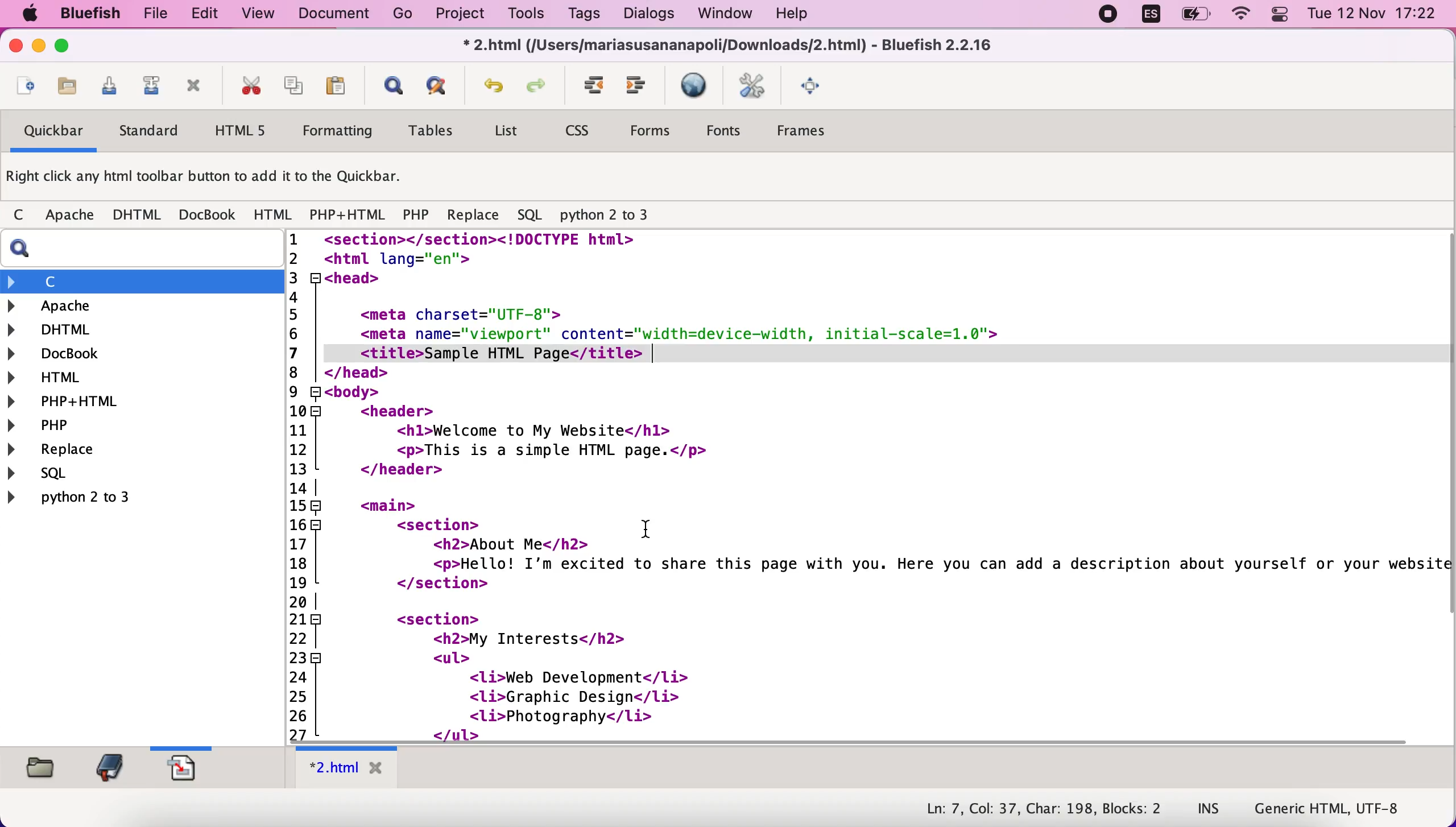 The image size is (1456, 827). I want to click on html, so click(274, 215).